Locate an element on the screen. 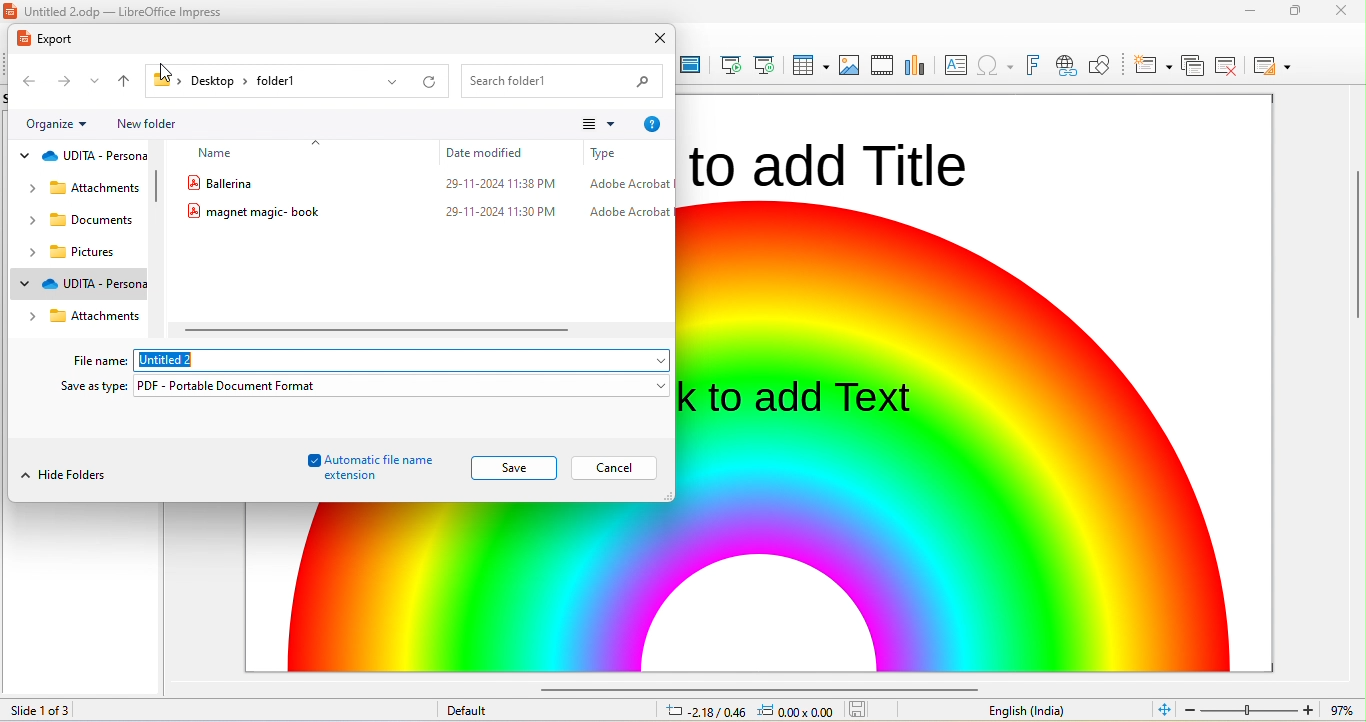  cursor and object position is located at coordinates (749, 711).